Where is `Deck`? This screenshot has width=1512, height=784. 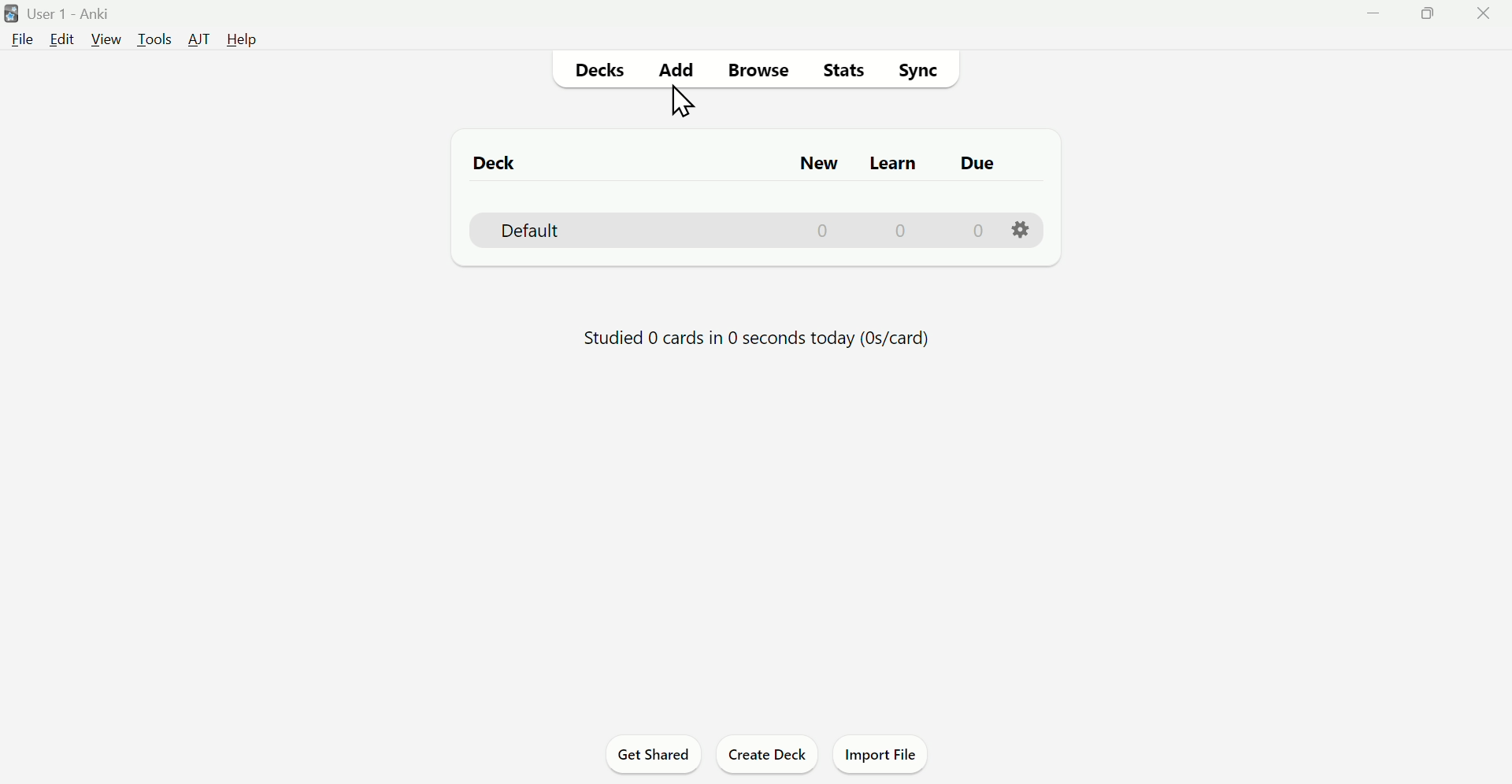 Deck is located at coordinates (498, 163).